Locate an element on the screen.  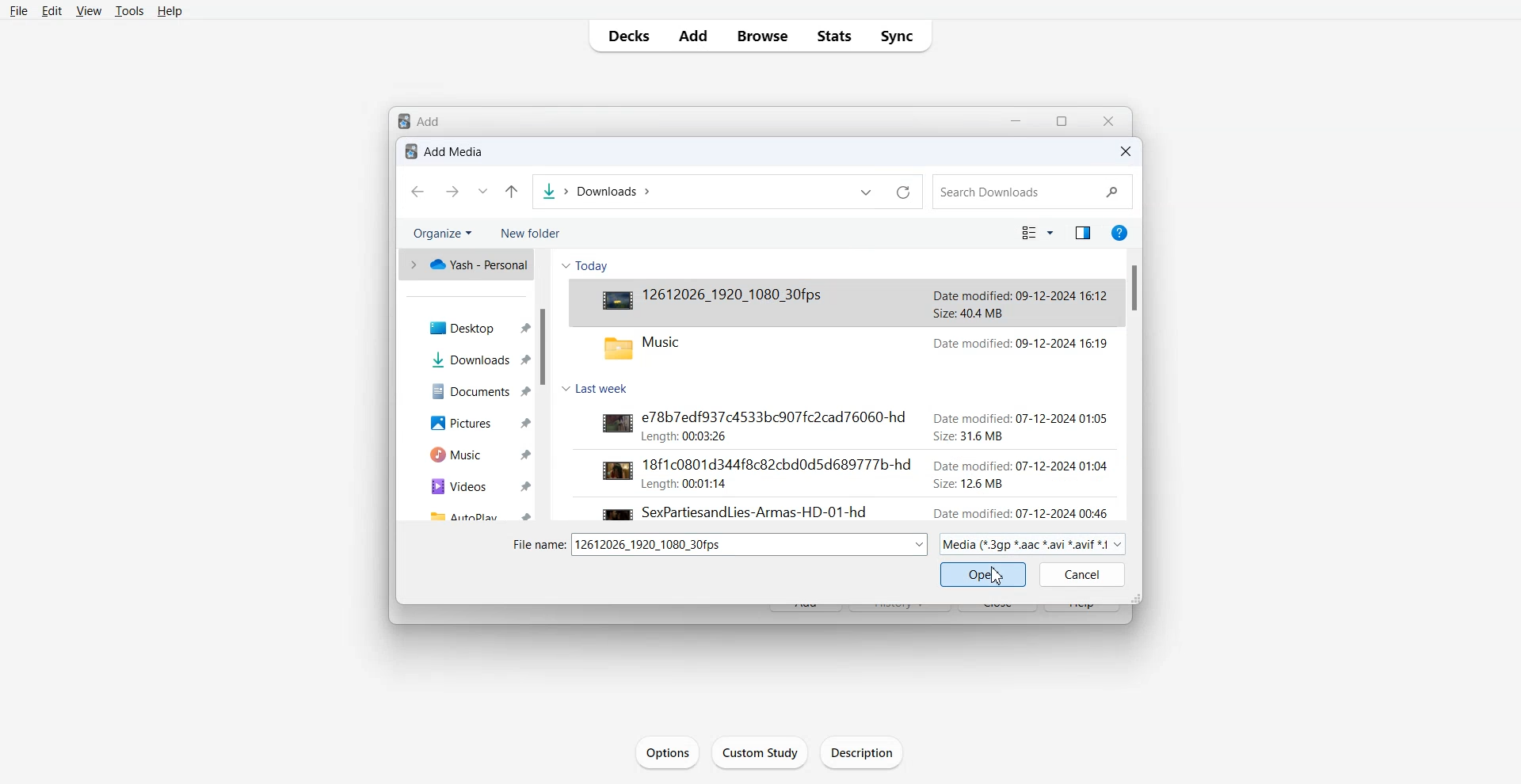
Minimize is located at coordinates (1014, 120).